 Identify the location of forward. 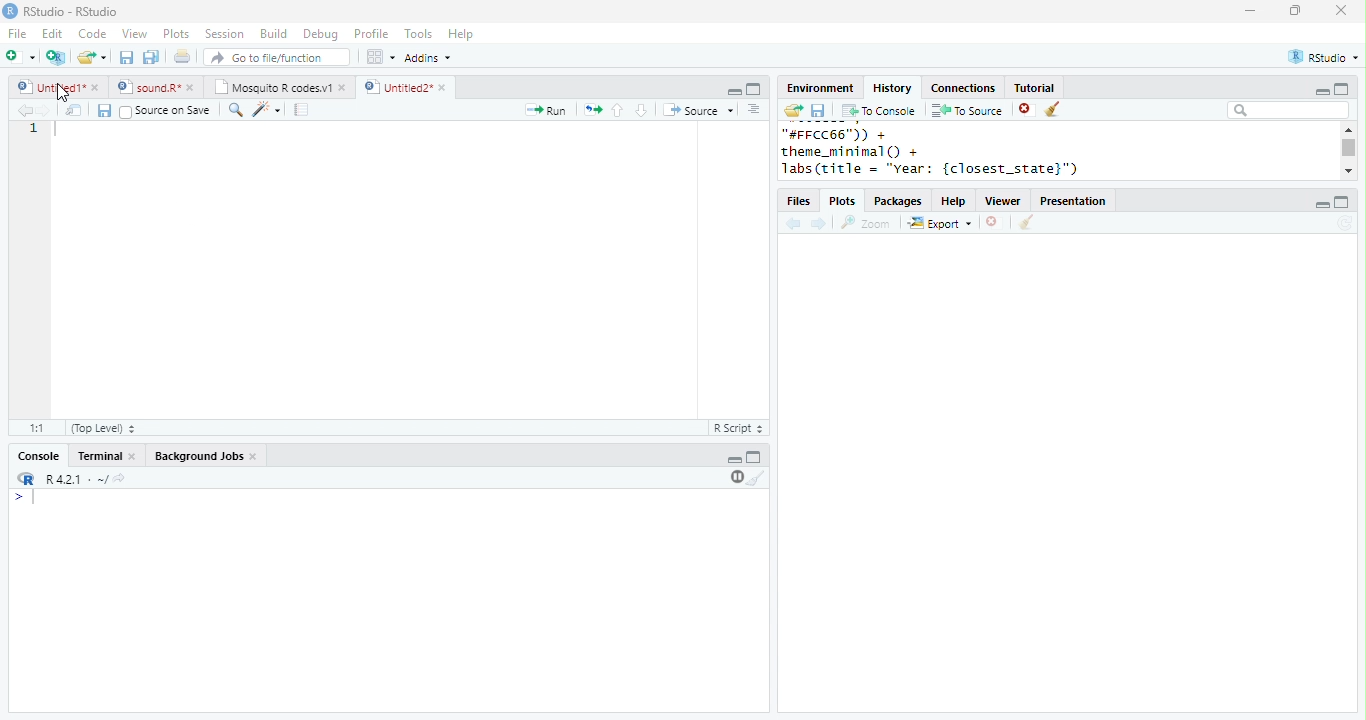
(819, 224).